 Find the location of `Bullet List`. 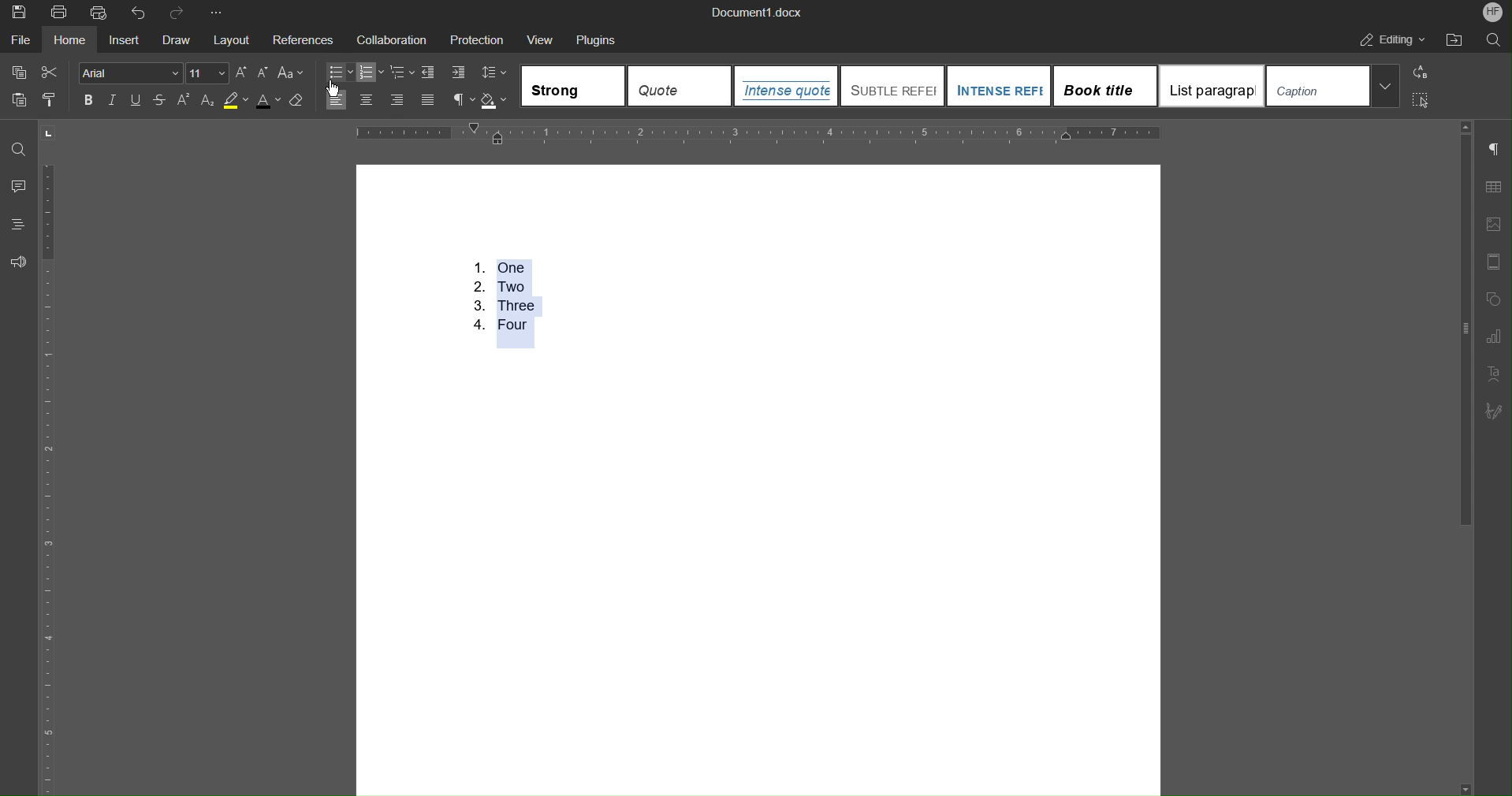

Bullet List is located at coordinates (341, 72).